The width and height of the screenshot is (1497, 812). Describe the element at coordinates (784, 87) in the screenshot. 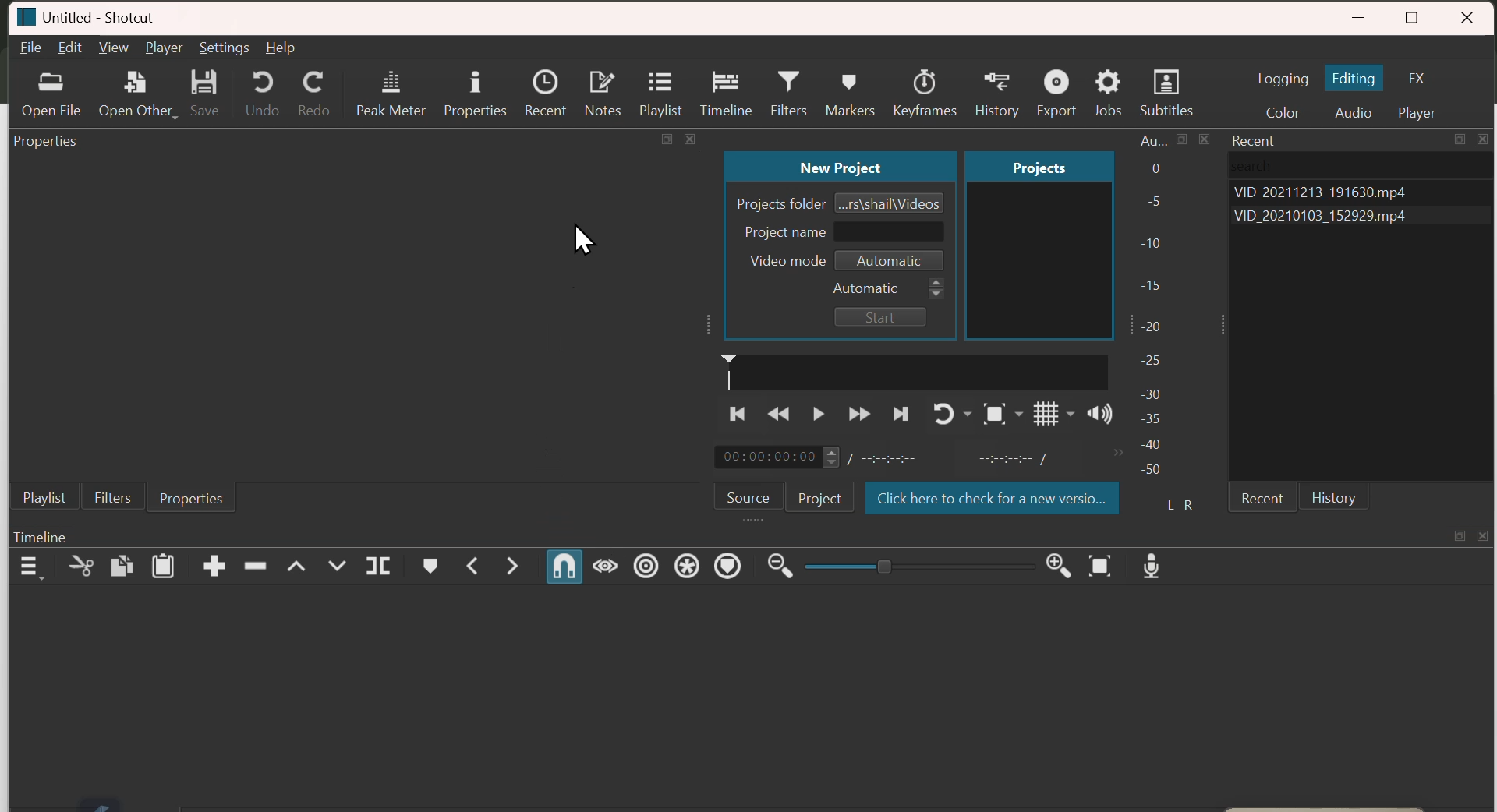

I see `philtres` at that location.